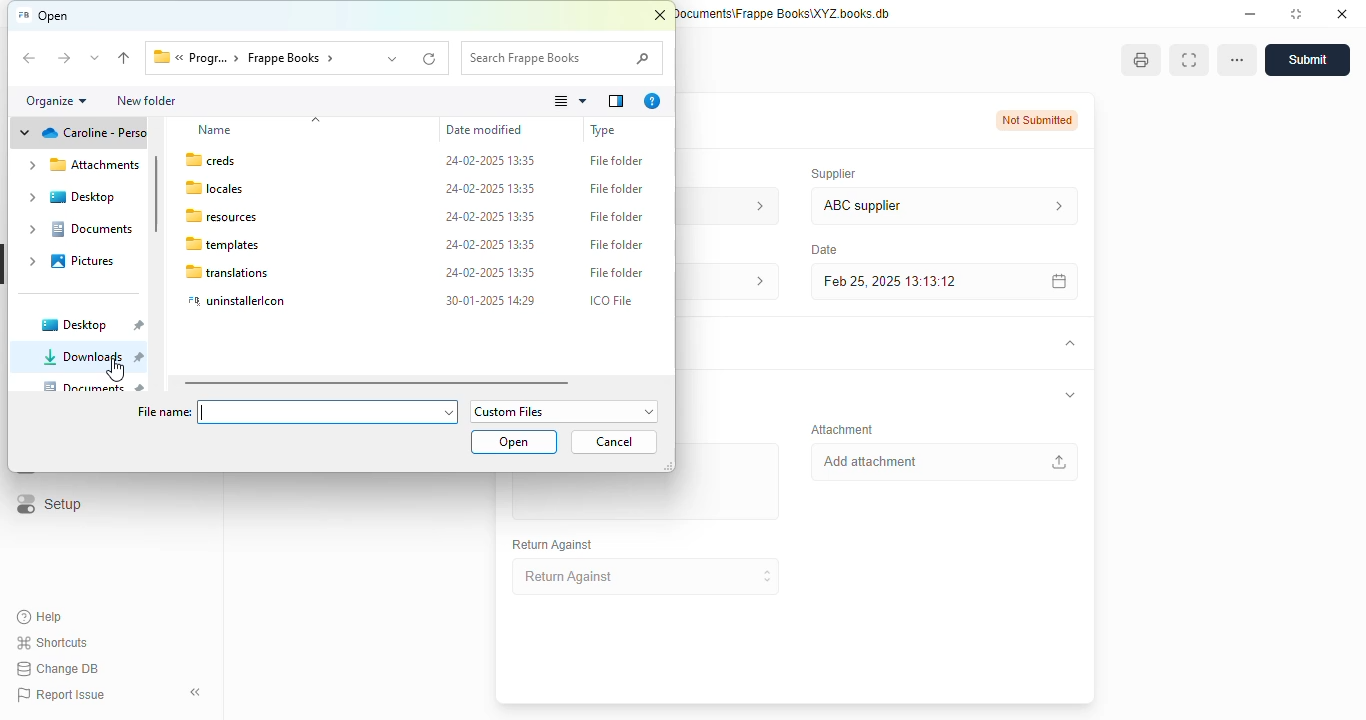  What do you see at coordinates (1055, 281) in the screenshot?
I see `calendar icon` at bounding box center [1055, 281].